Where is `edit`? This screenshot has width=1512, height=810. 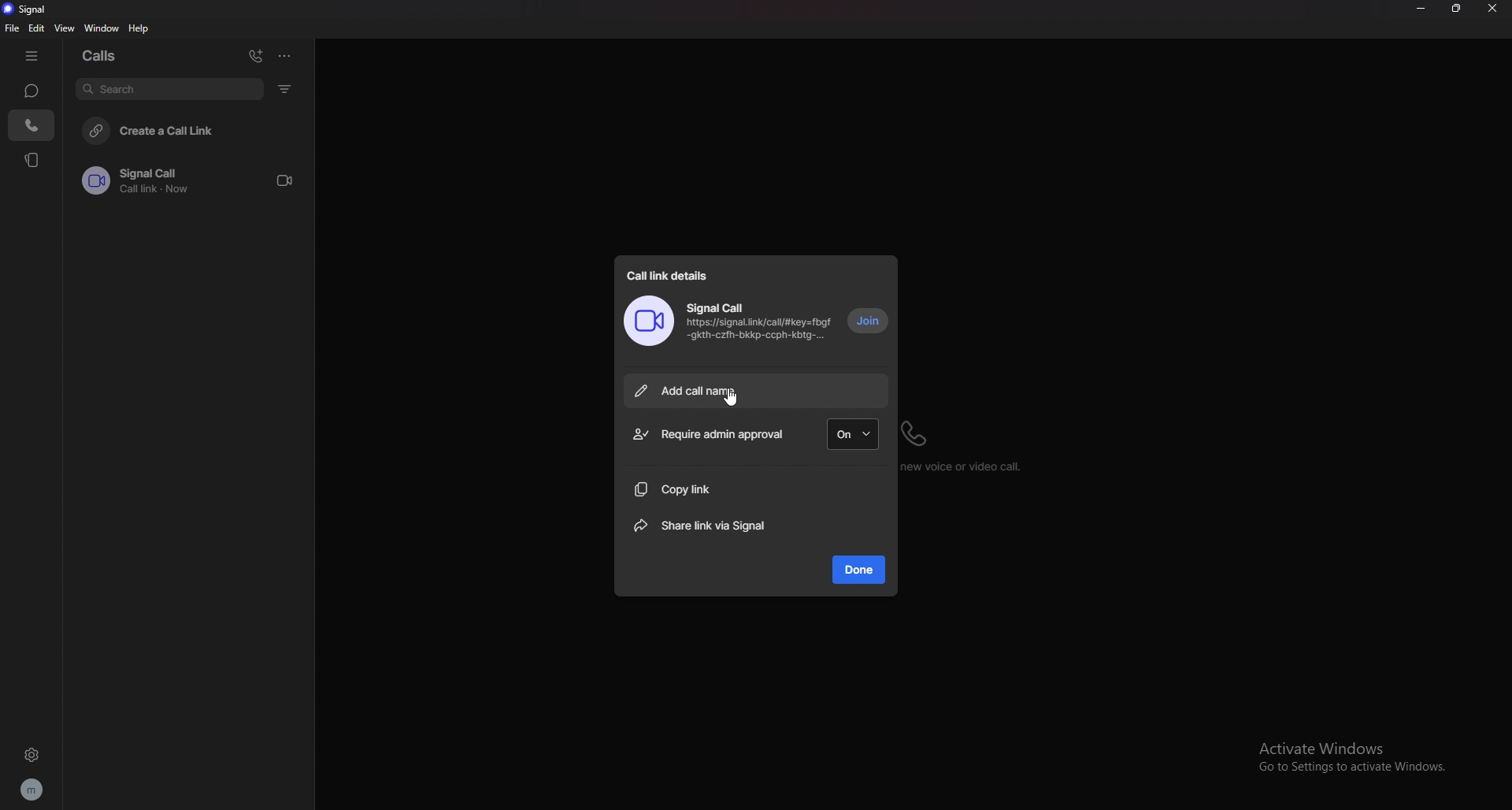
edit is located at coordinates (37, 28).